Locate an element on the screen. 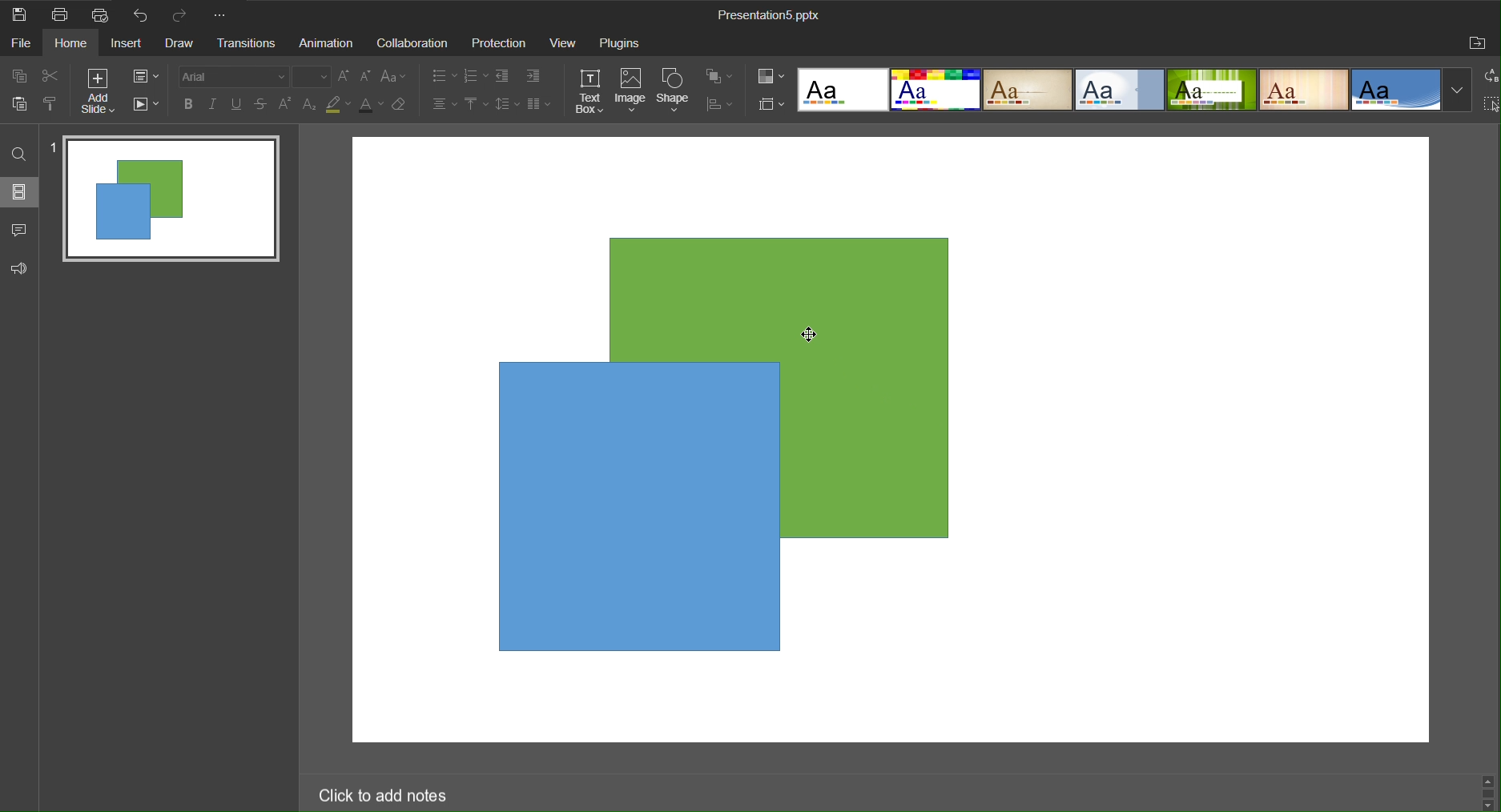  Print is located at coordinates (63, 14).